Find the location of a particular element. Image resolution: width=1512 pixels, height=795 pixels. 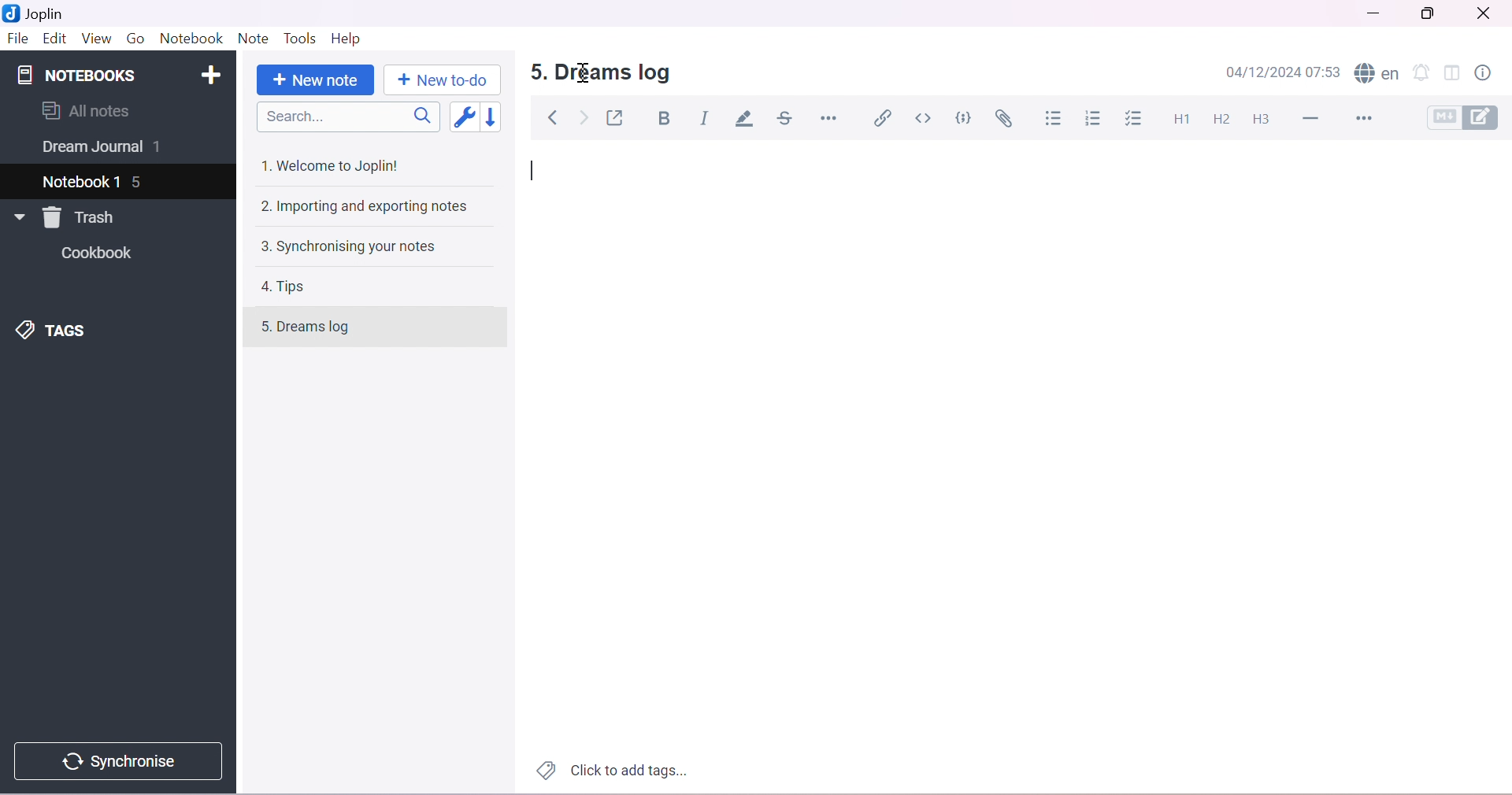

Trash is located at coordinates (83, 217).